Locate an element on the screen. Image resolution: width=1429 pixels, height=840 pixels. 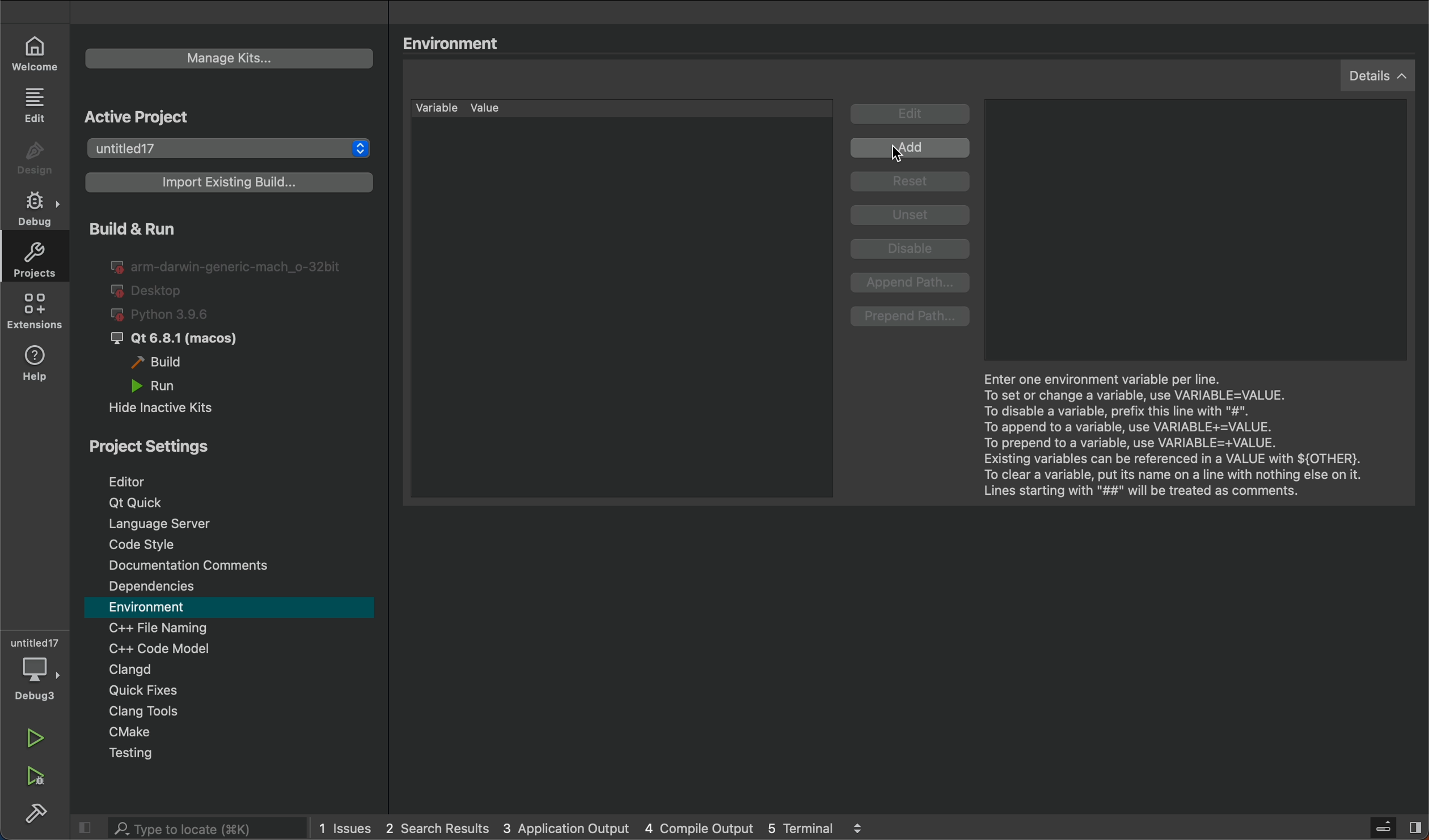
build is located at coordinates (166, 363).